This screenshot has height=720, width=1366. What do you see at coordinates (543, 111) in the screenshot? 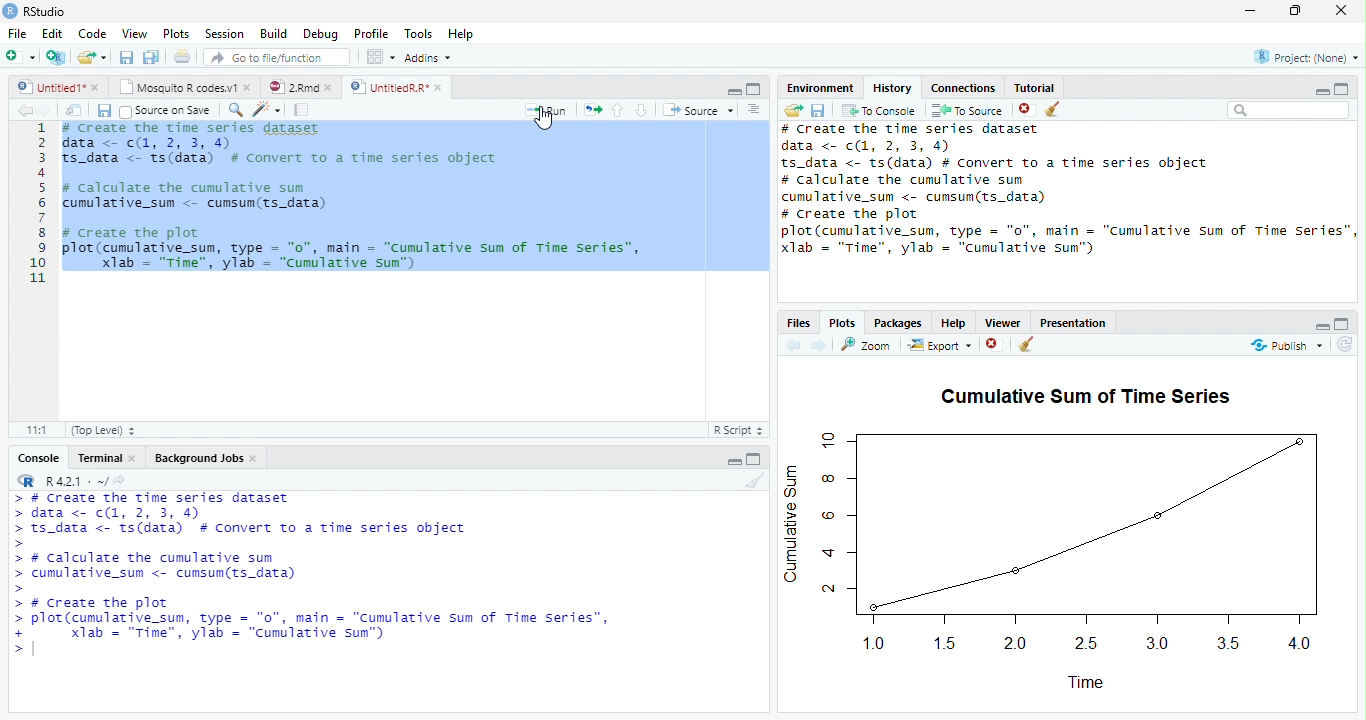
I see `Run` at bounding box center [543, 111].